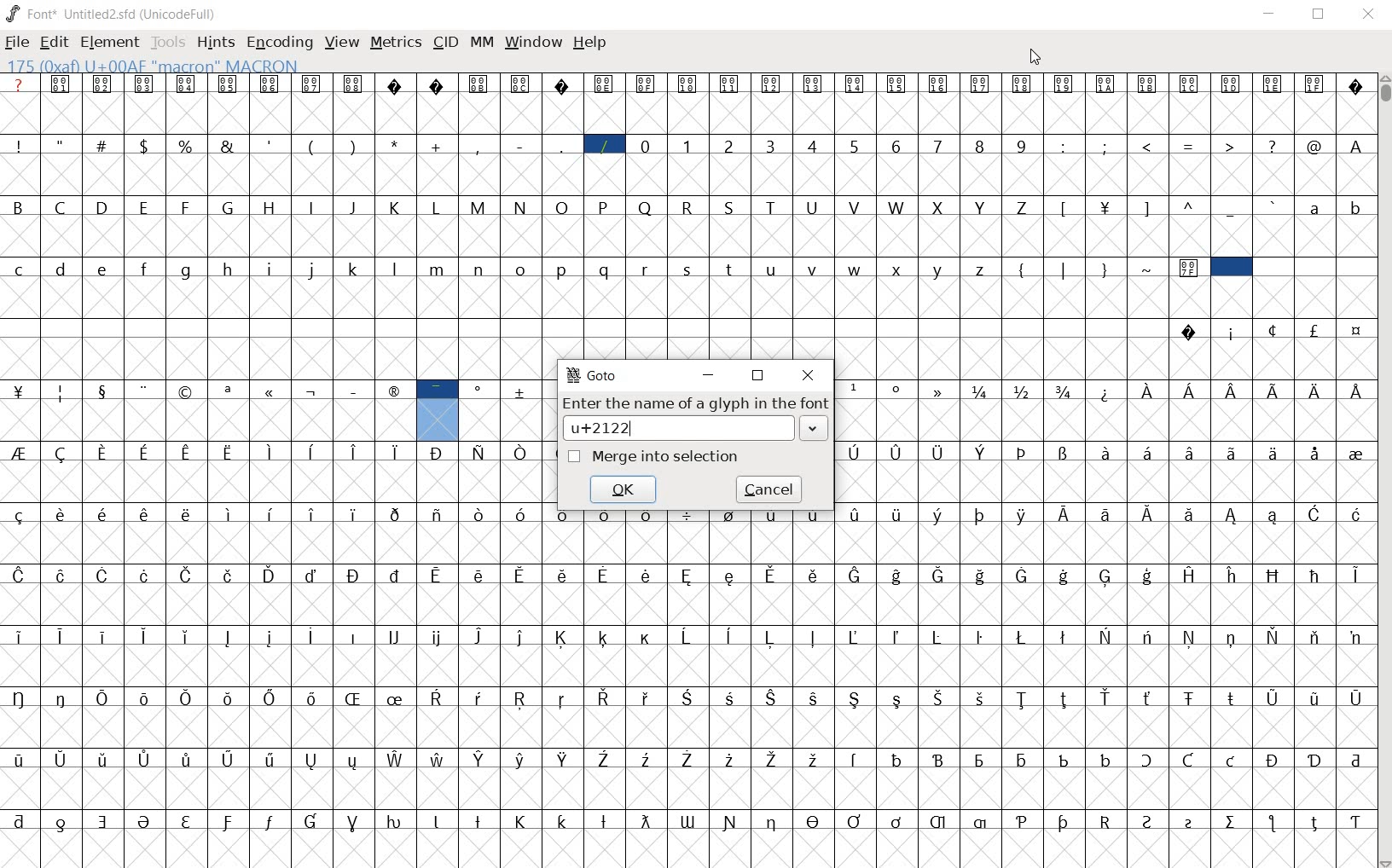 The height and width of the screenshot is (868, 1392). I want to click on ENCODING, so click(280, 43).